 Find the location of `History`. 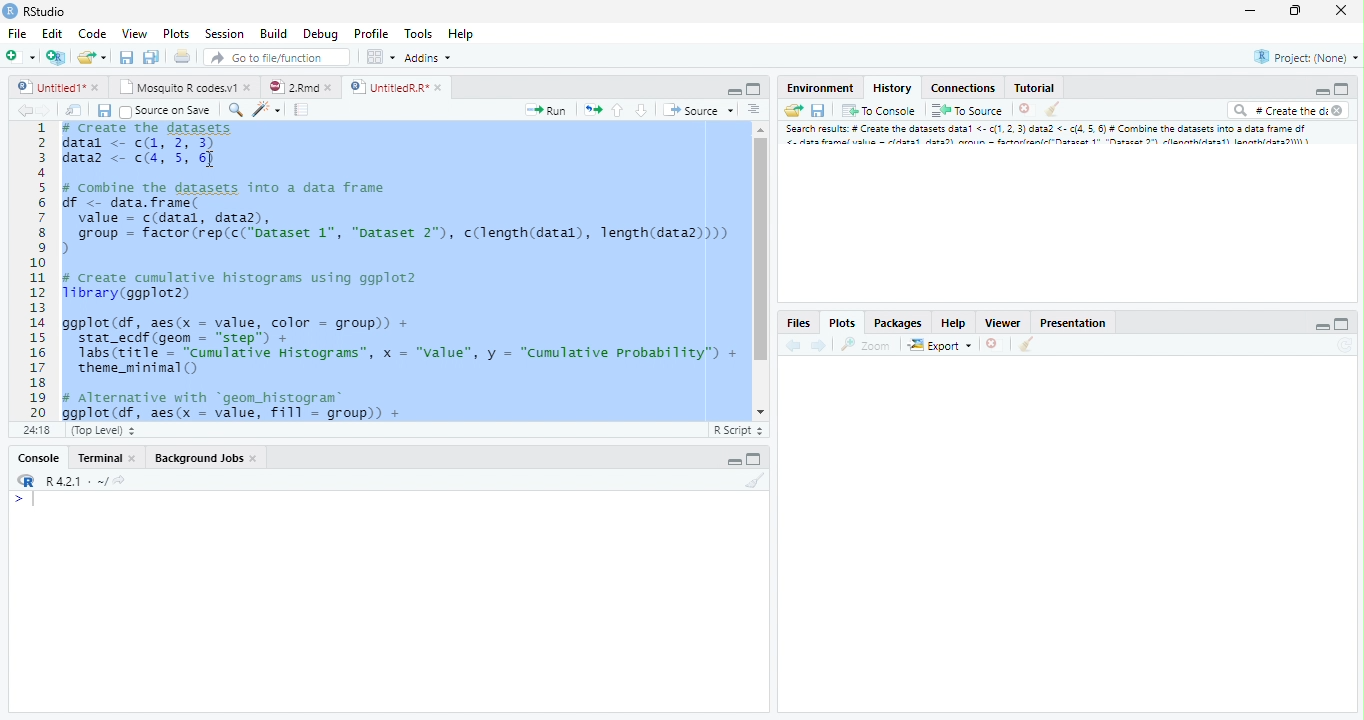

History is located at coordinates (892, 87).